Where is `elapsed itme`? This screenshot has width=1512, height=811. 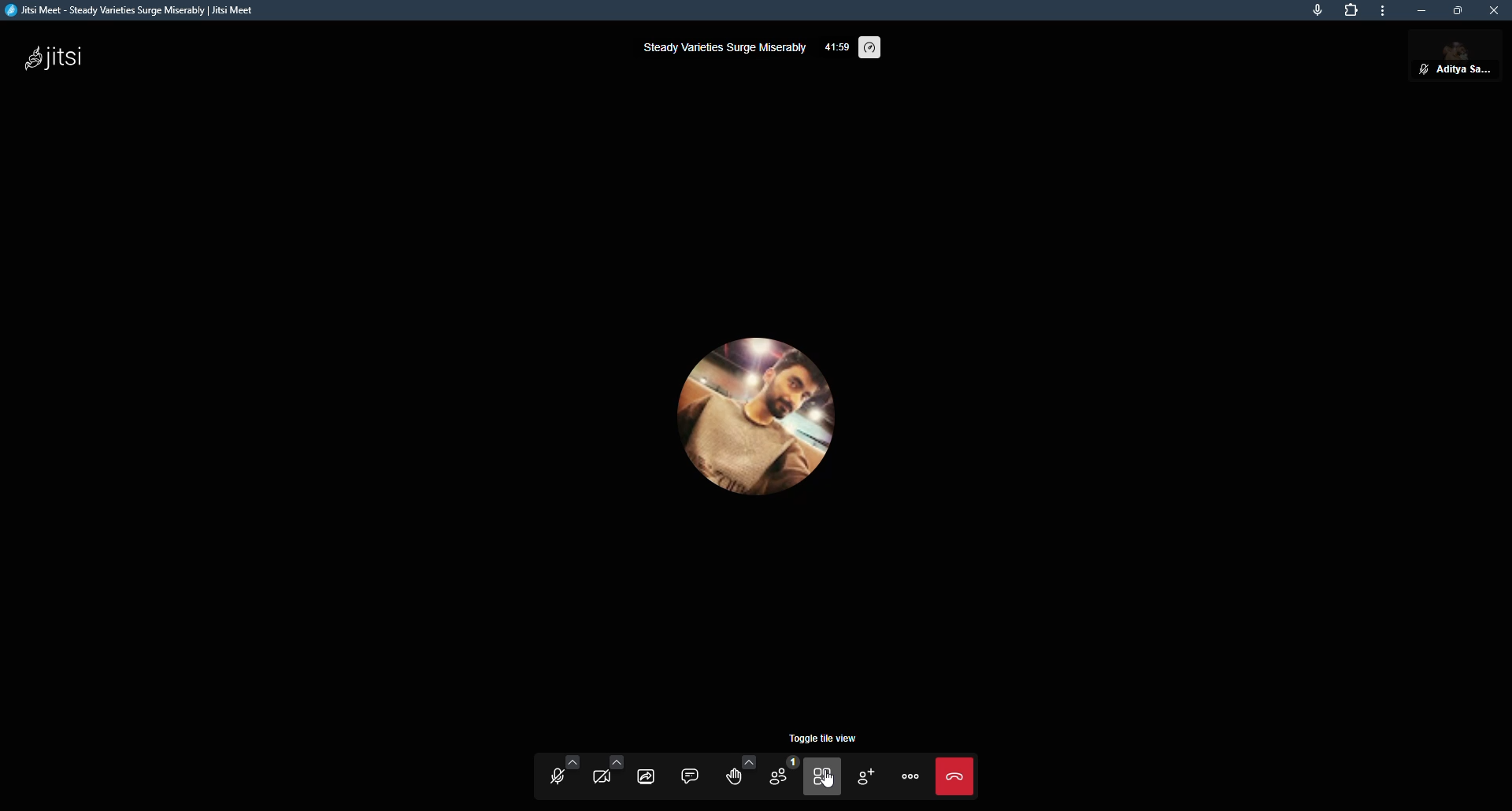 elapsed itme is located at coordinates (838, 46).